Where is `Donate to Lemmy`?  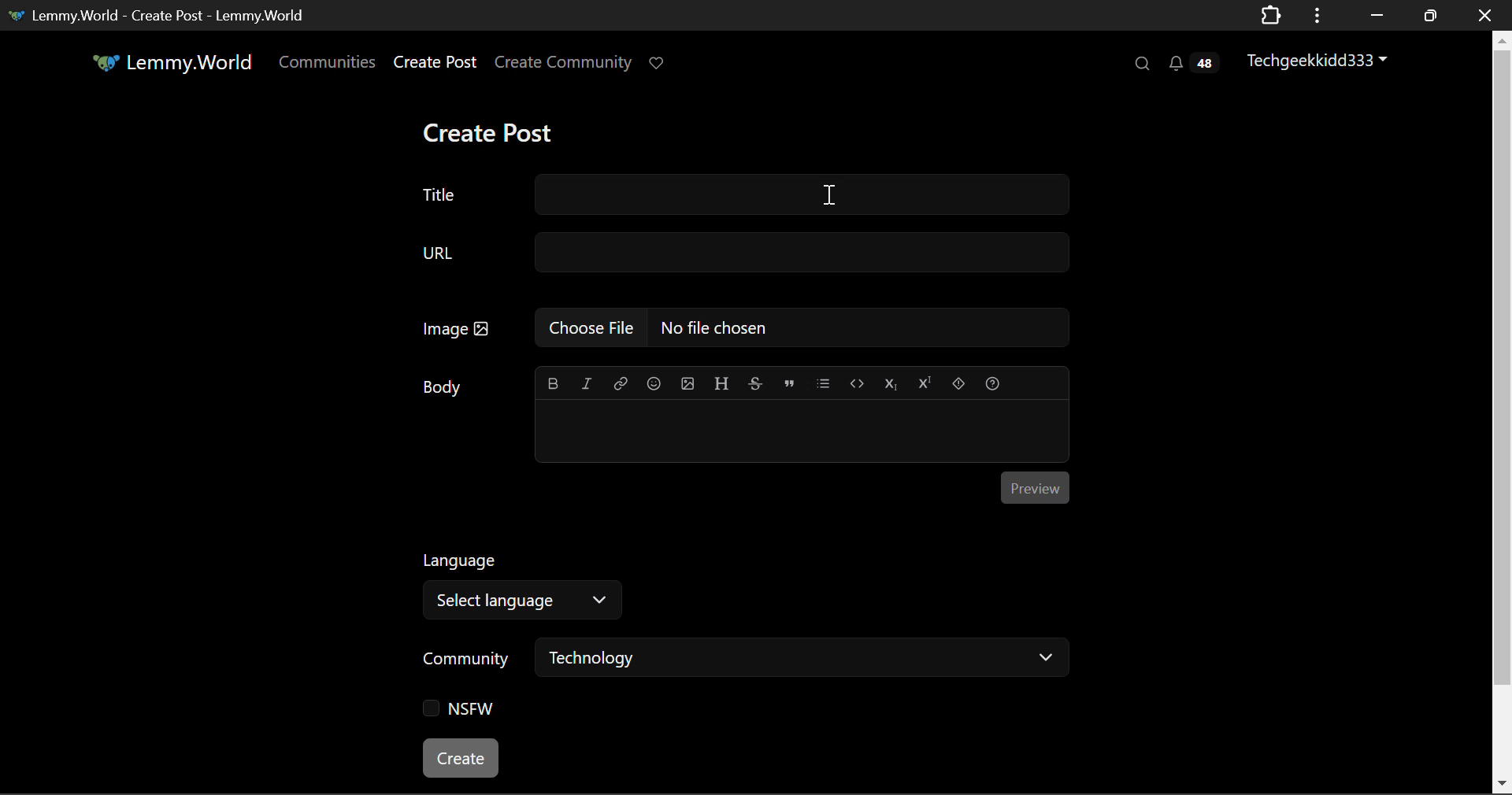
Donate to Lemmy is located at coordinates (658, 64).